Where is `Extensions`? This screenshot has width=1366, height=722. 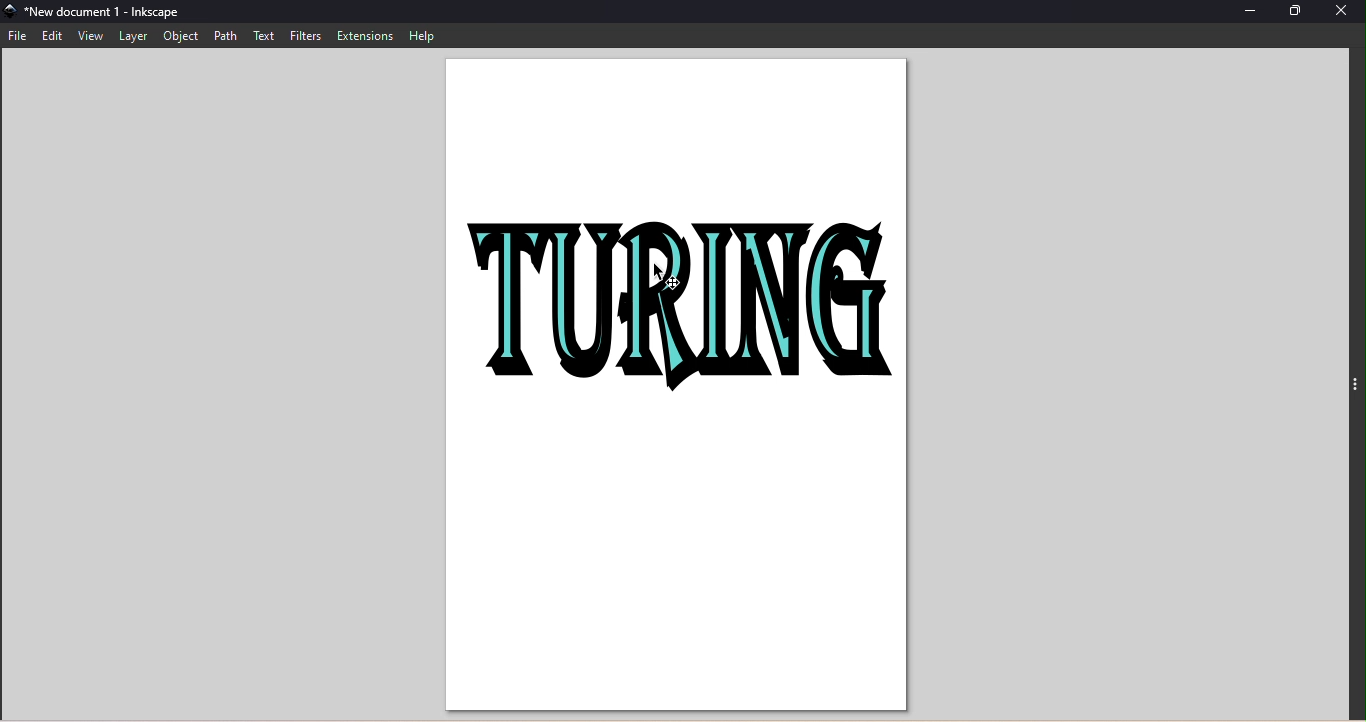 Extensions is located at coordinates (364, 34).